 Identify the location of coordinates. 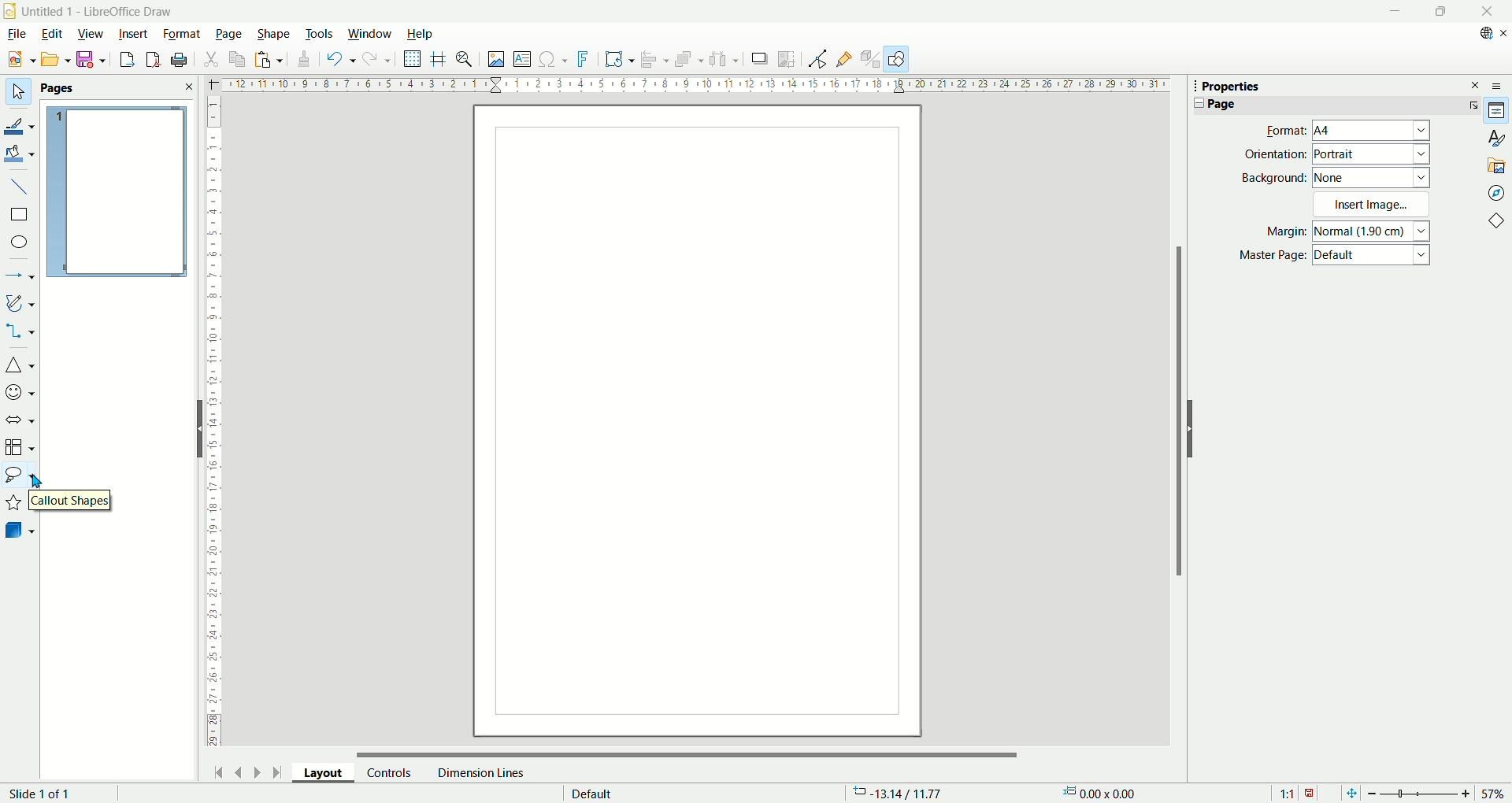
(900, 794).